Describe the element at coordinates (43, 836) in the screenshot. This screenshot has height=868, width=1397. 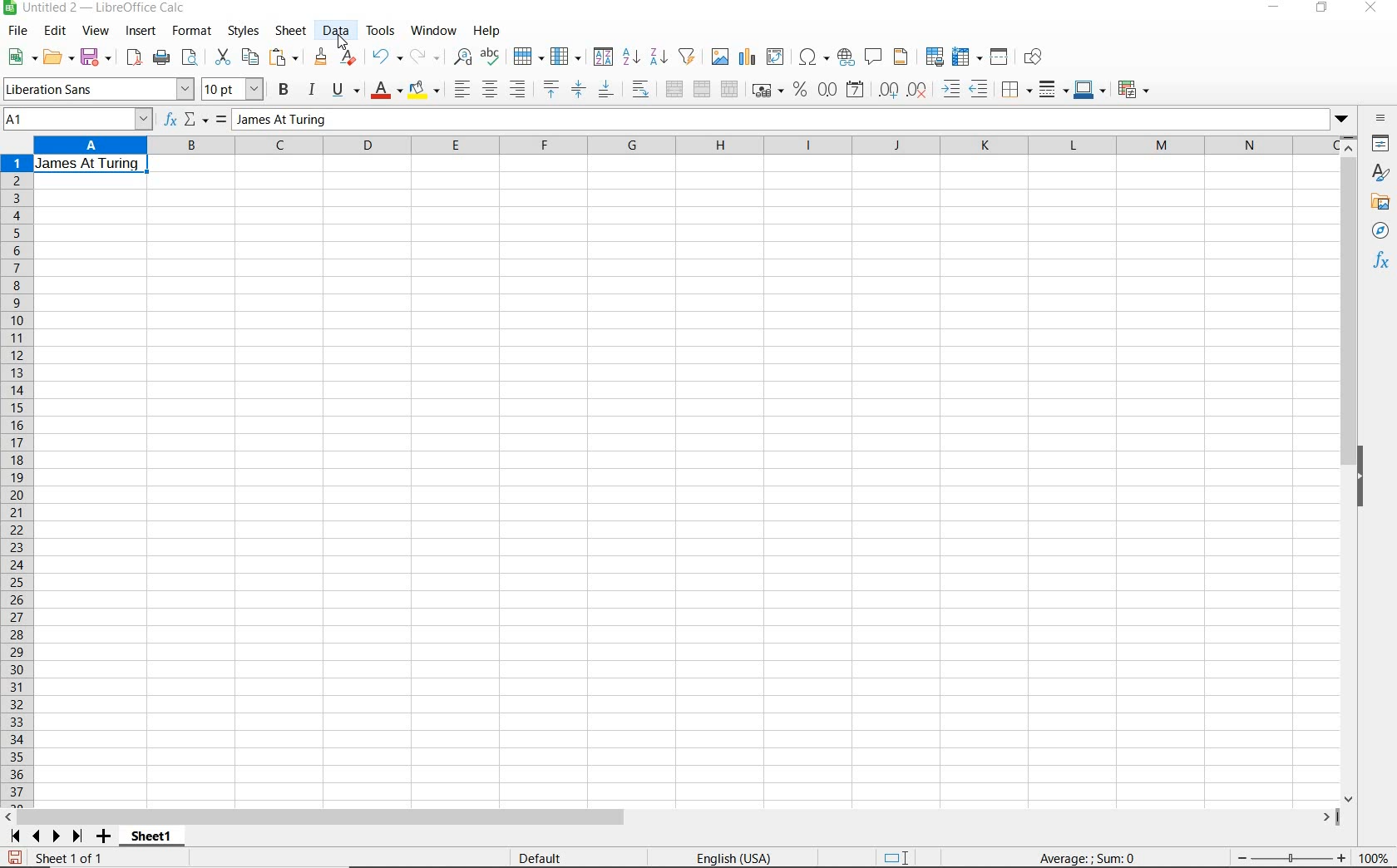
I see `scroll sheets` at that location.